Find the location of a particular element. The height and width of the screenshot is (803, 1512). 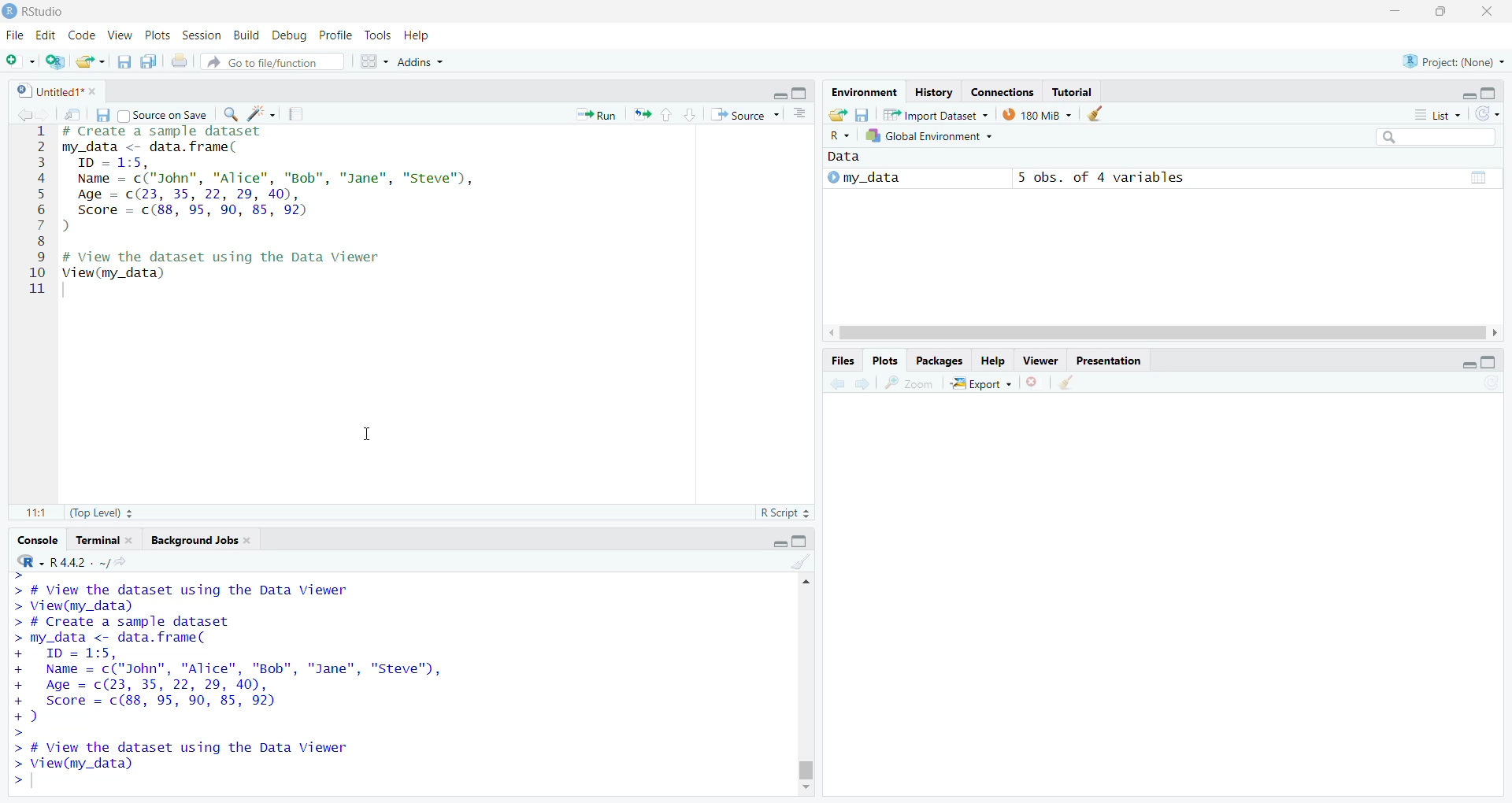

Data is located at coordinates (842, 157).